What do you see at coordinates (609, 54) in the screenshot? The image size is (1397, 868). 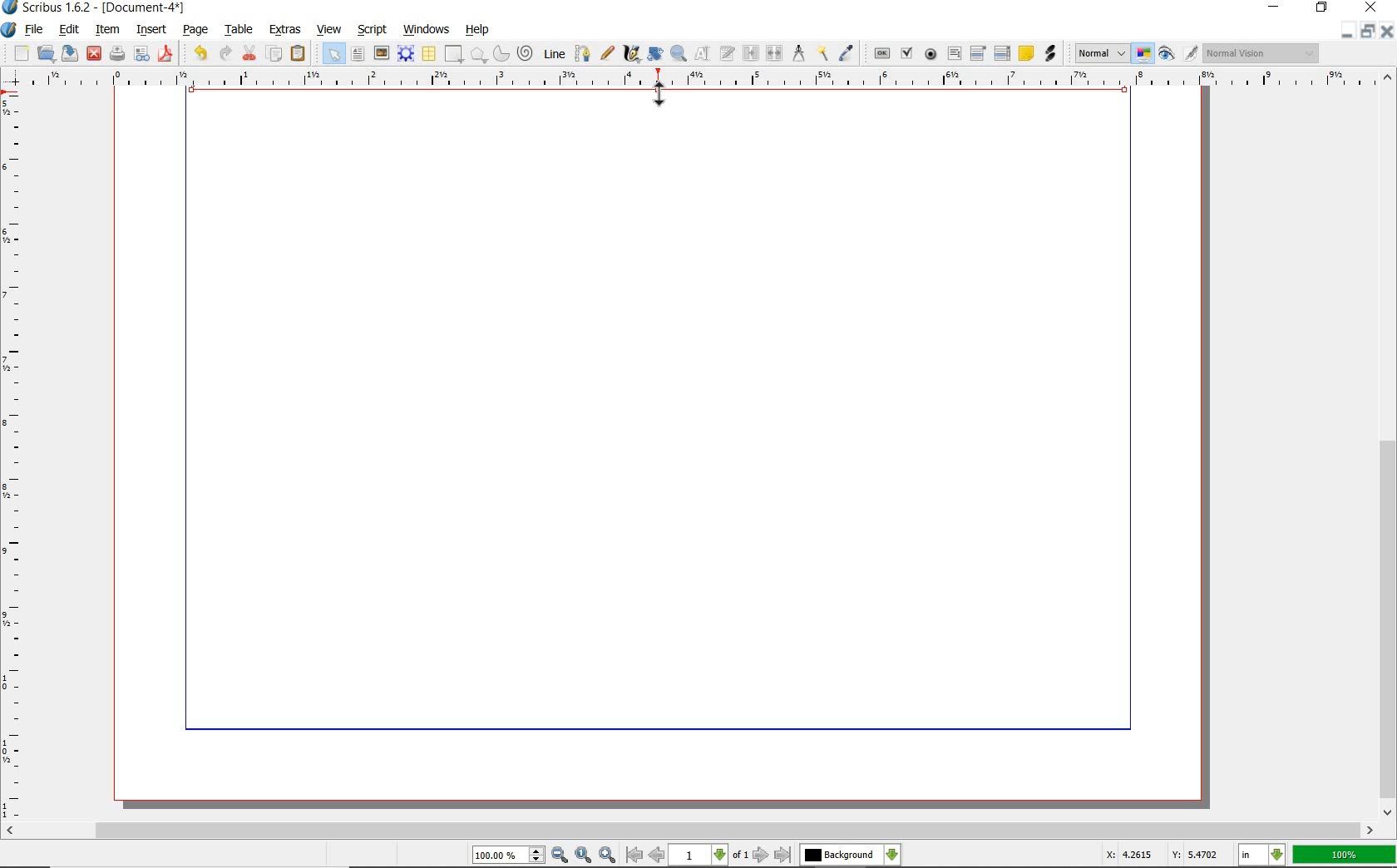 I see `freehand line` at bounding box center [609, 54].